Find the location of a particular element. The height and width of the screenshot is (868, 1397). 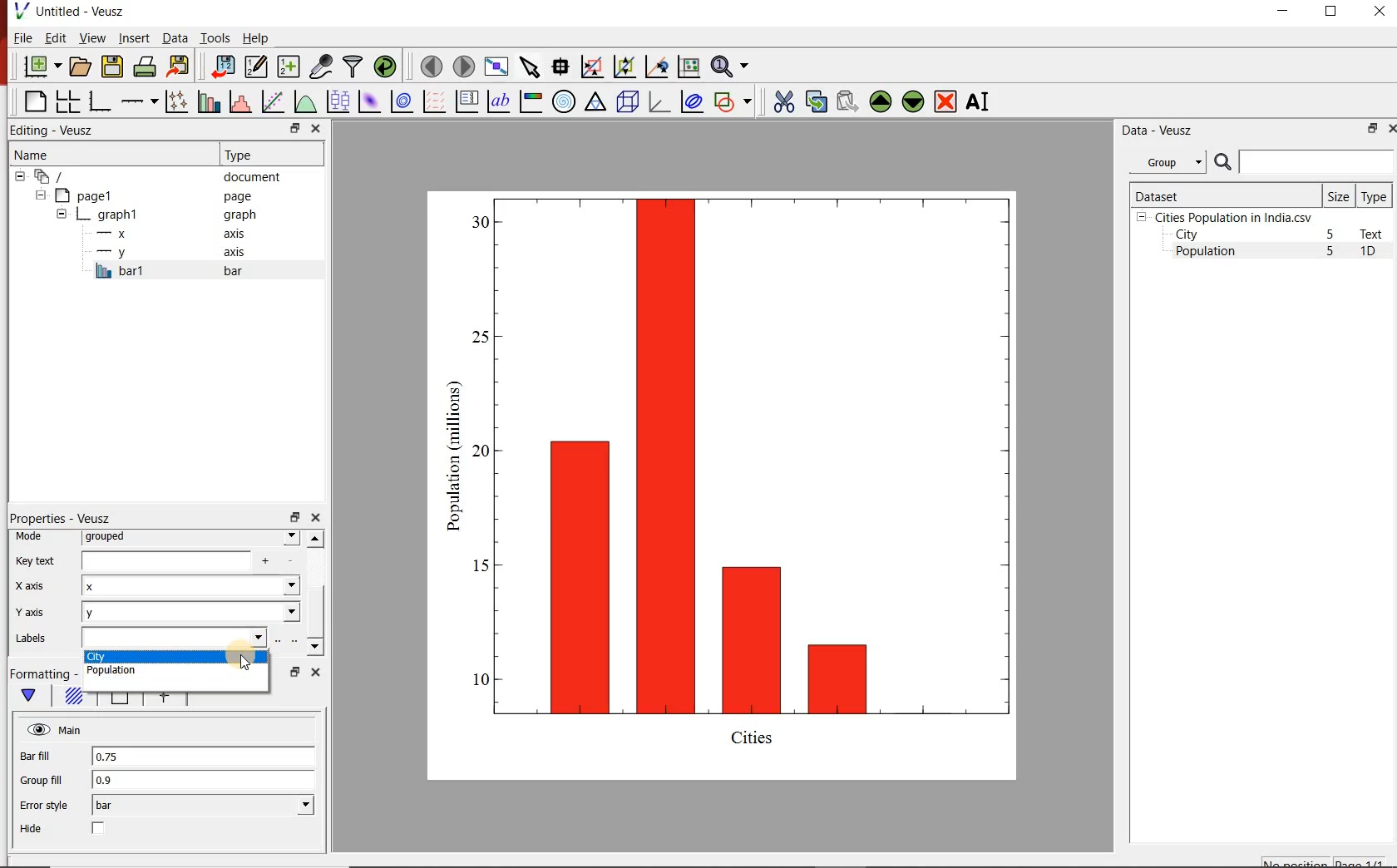

import data into Veusz is located at coordinates (222, 66).